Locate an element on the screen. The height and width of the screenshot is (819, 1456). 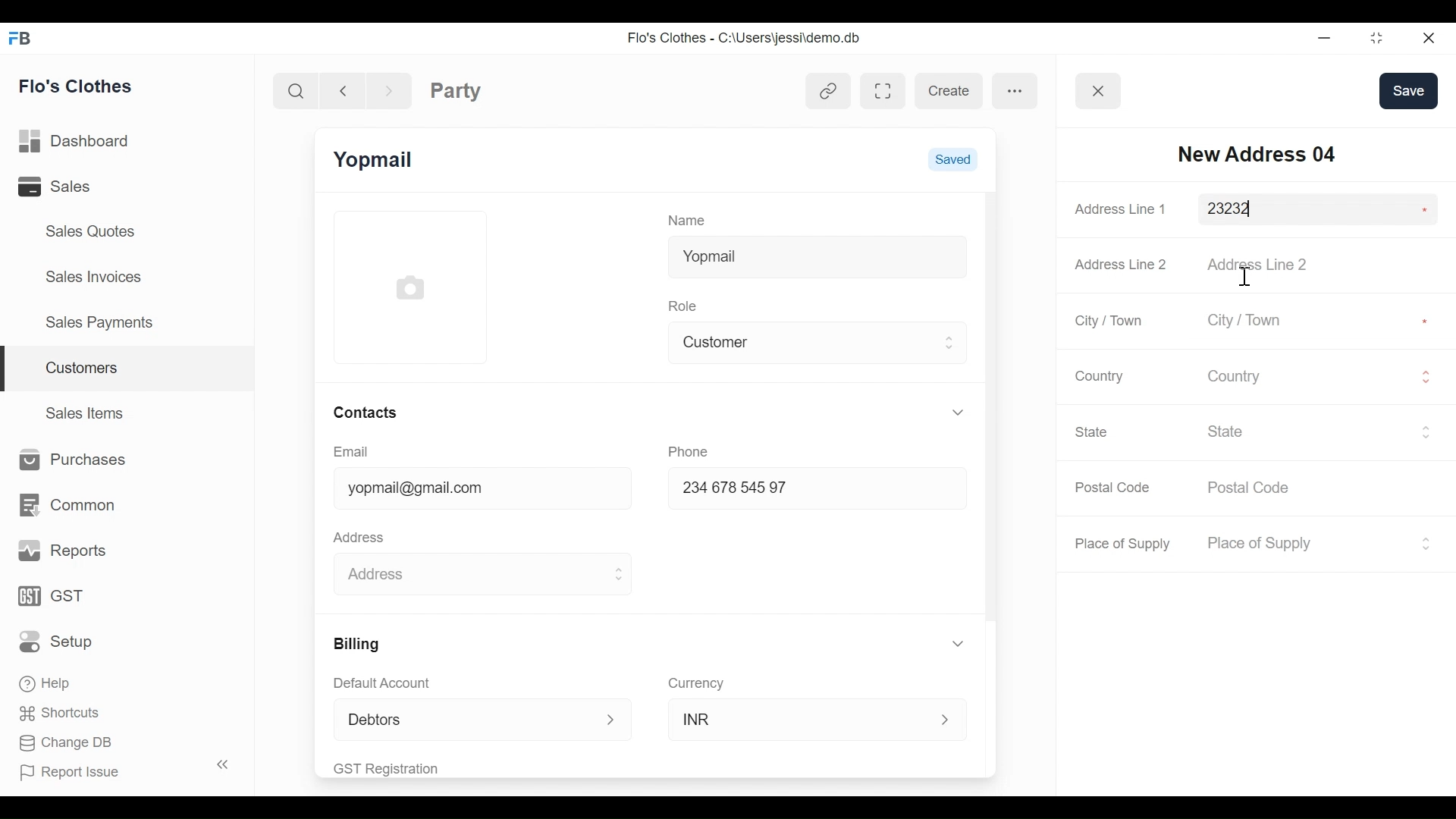
Flo's Clothes is located at coordinates (78, 86).